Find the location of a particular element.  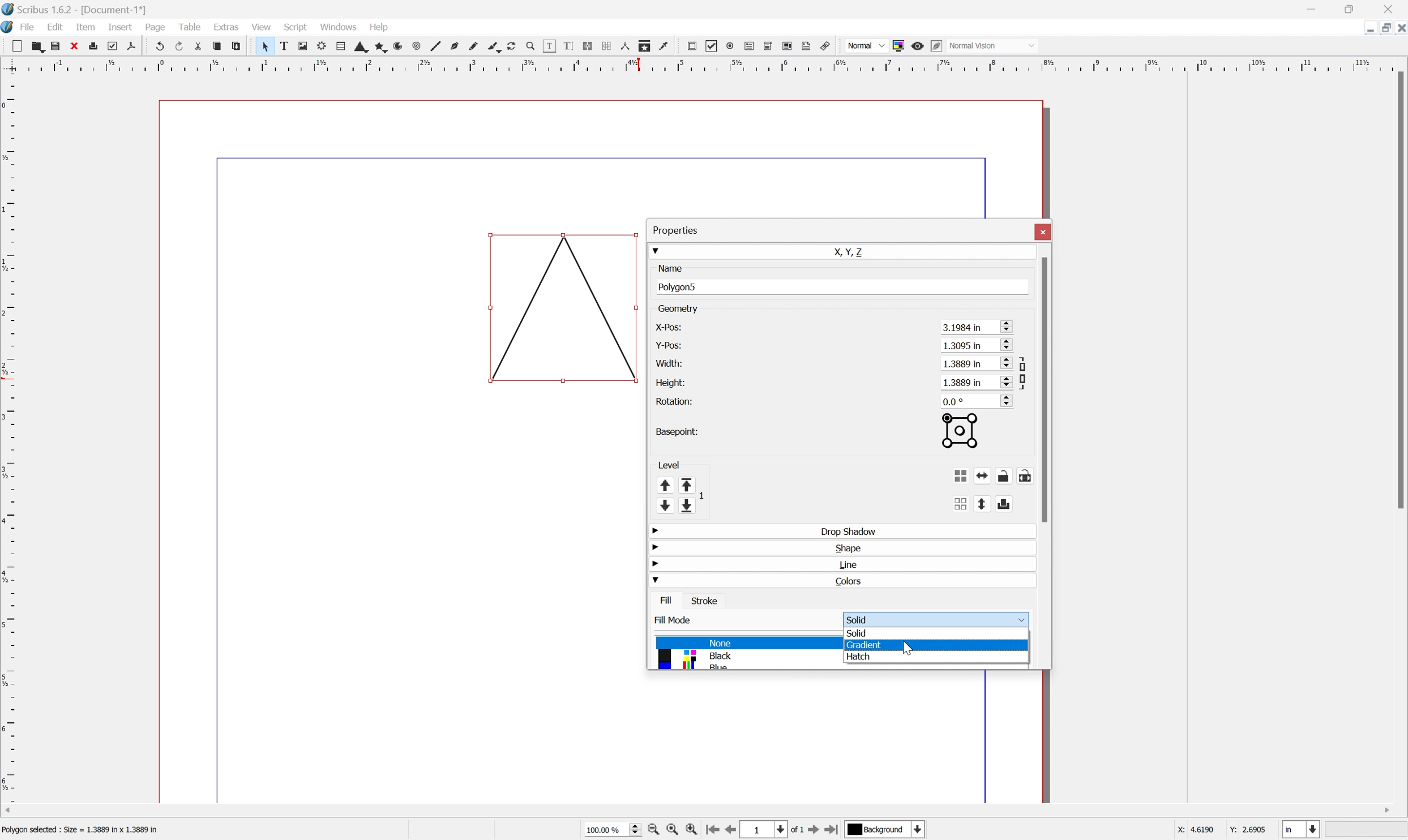

Page is located at coordinates (155, 27).